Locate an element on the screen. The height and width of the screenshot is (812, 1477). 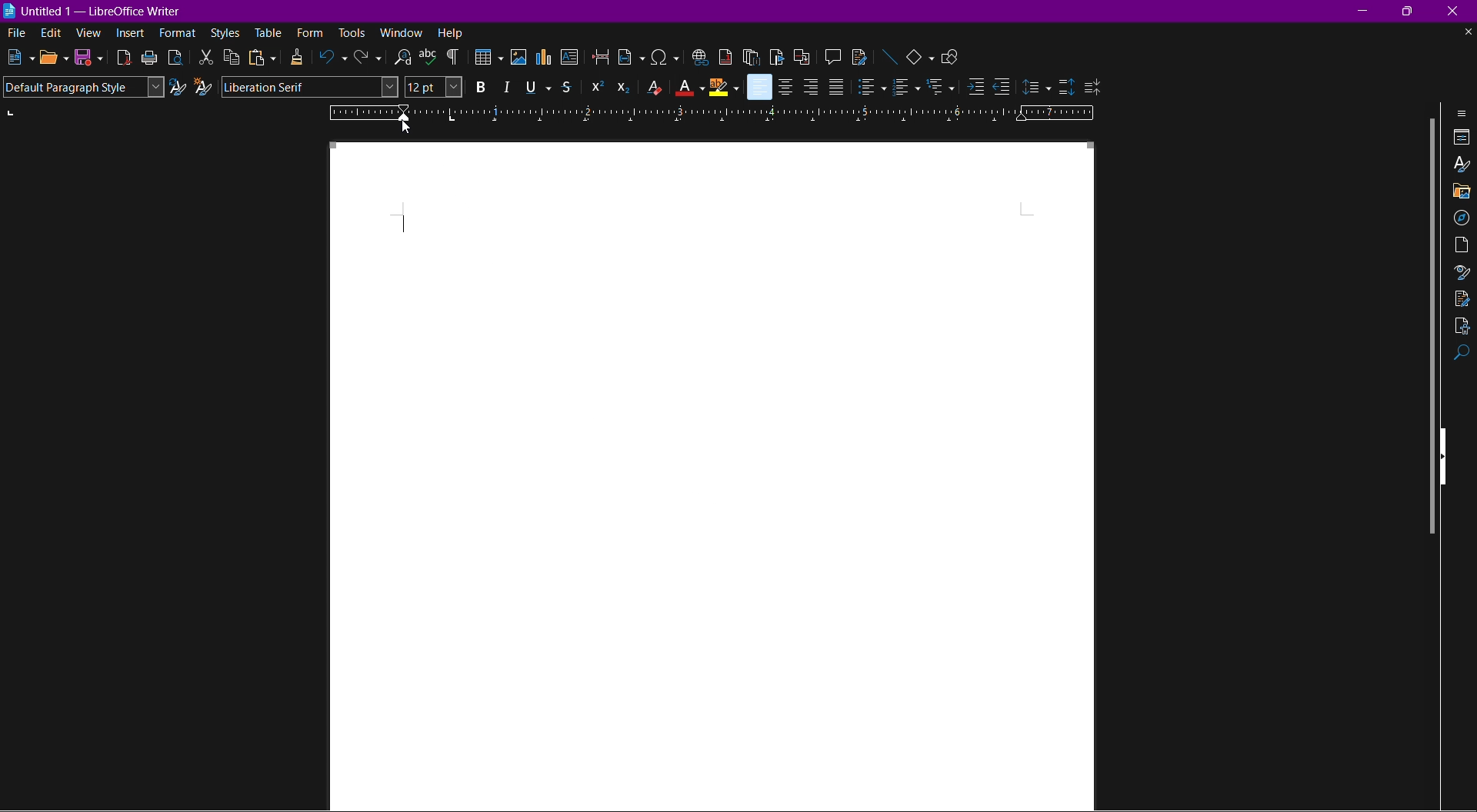
edit is located at coordinates (50, 33).